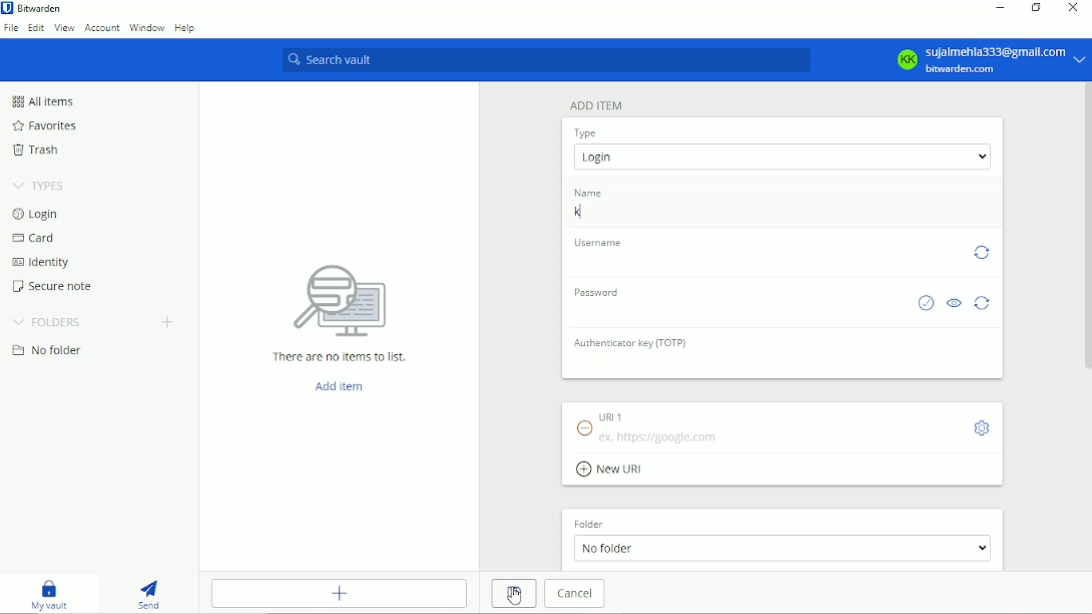 The image size is (1092, 614). I want to click on Login, so click(35, 215).